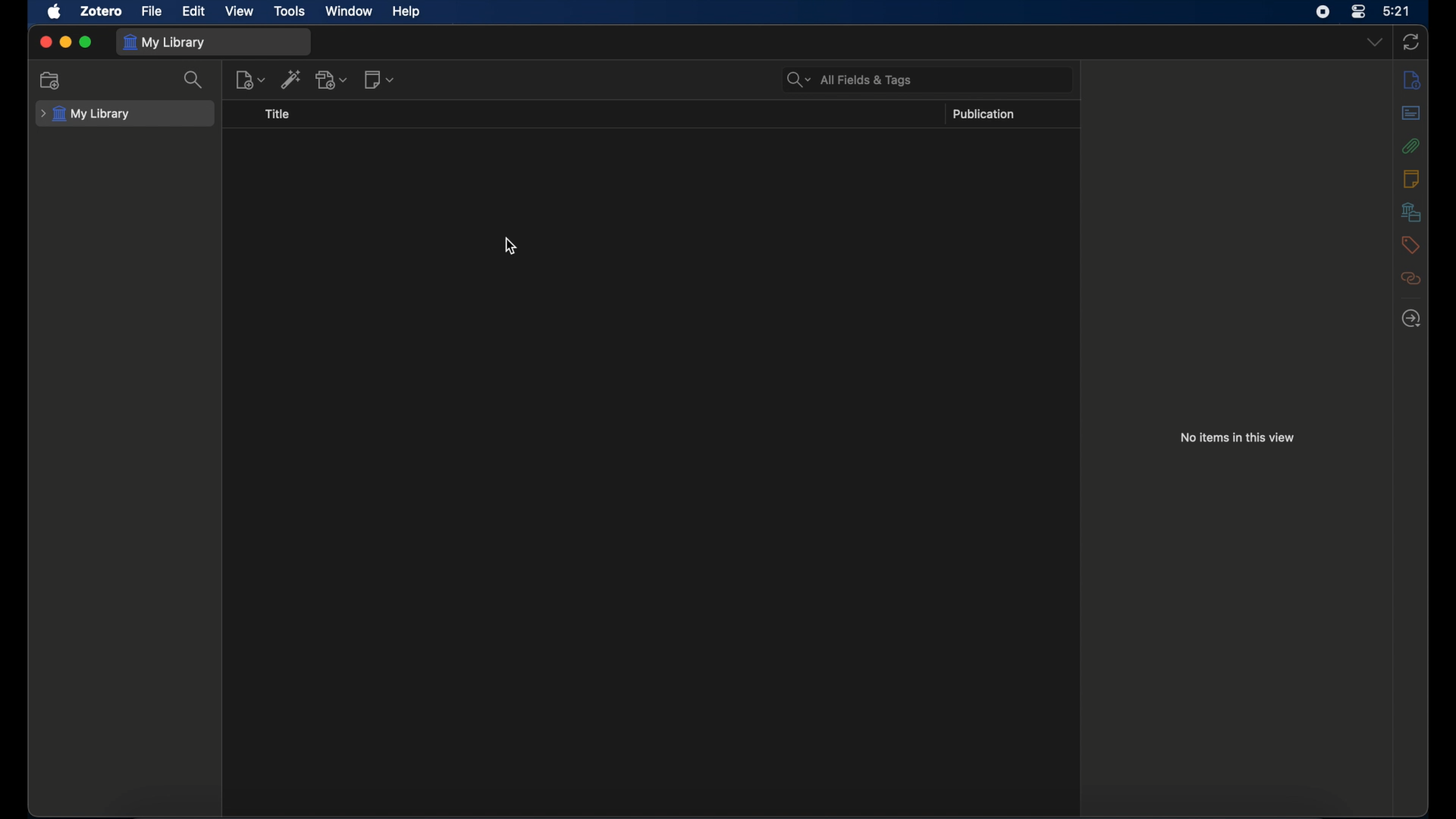 The height and width of the screenshot is (819, 1456). Describe the element at coordinates (54, 11) in the screenshot. I see `apple icon` at that location.